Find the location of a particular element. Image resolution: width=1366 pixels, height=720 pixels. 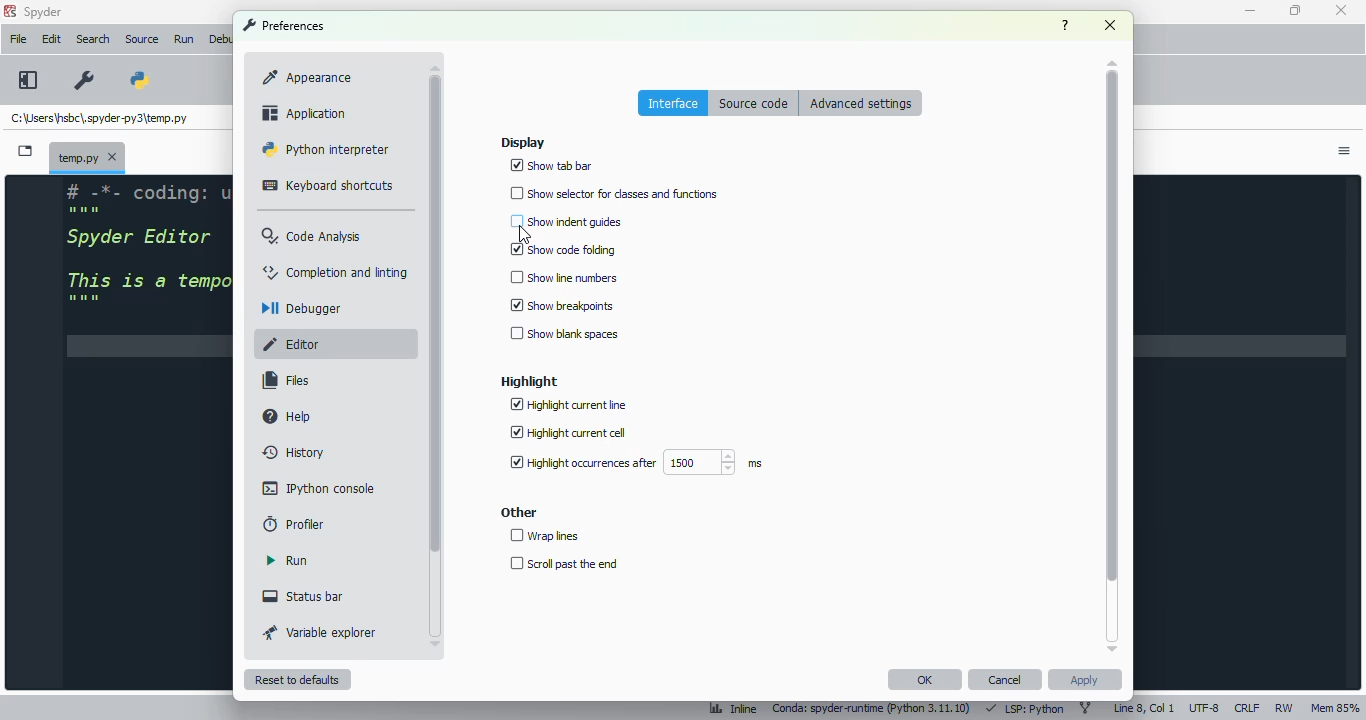

debugger is located at coordinates (301, 308).